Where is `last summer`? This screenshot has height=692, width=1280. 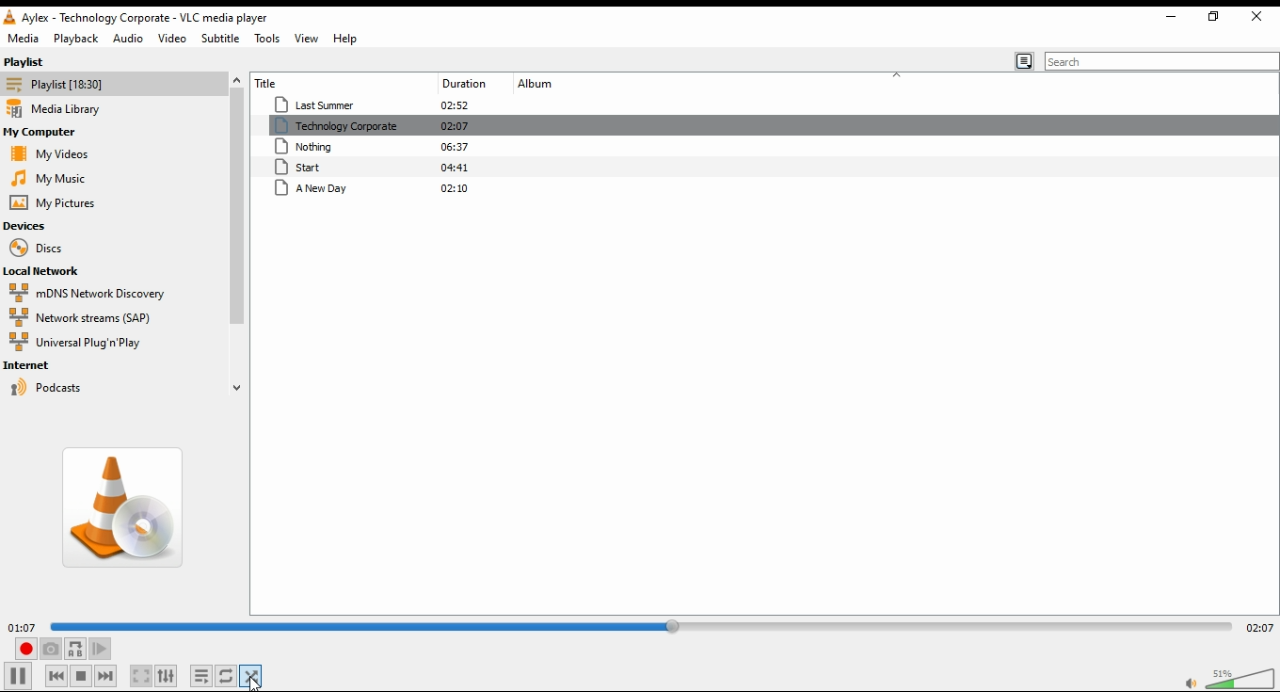
last summer is located at coordinates (390, 104).